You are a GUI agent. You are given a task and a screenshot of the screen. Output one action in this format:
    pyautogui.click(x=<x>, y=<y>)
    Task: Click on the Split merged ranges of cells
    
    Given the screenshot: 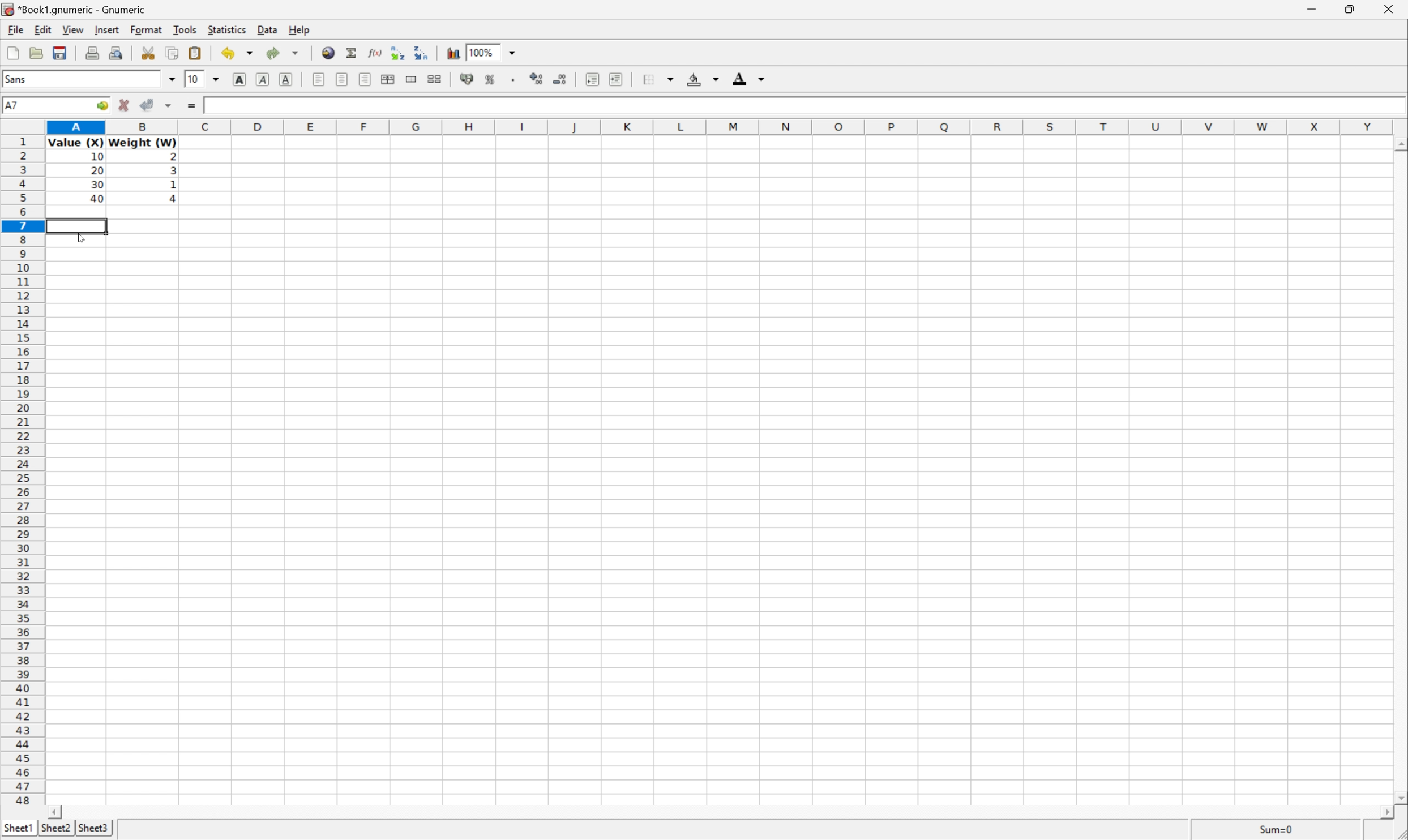 What is the action you would take?
    pyautogui.click(x=436, y=80)
    